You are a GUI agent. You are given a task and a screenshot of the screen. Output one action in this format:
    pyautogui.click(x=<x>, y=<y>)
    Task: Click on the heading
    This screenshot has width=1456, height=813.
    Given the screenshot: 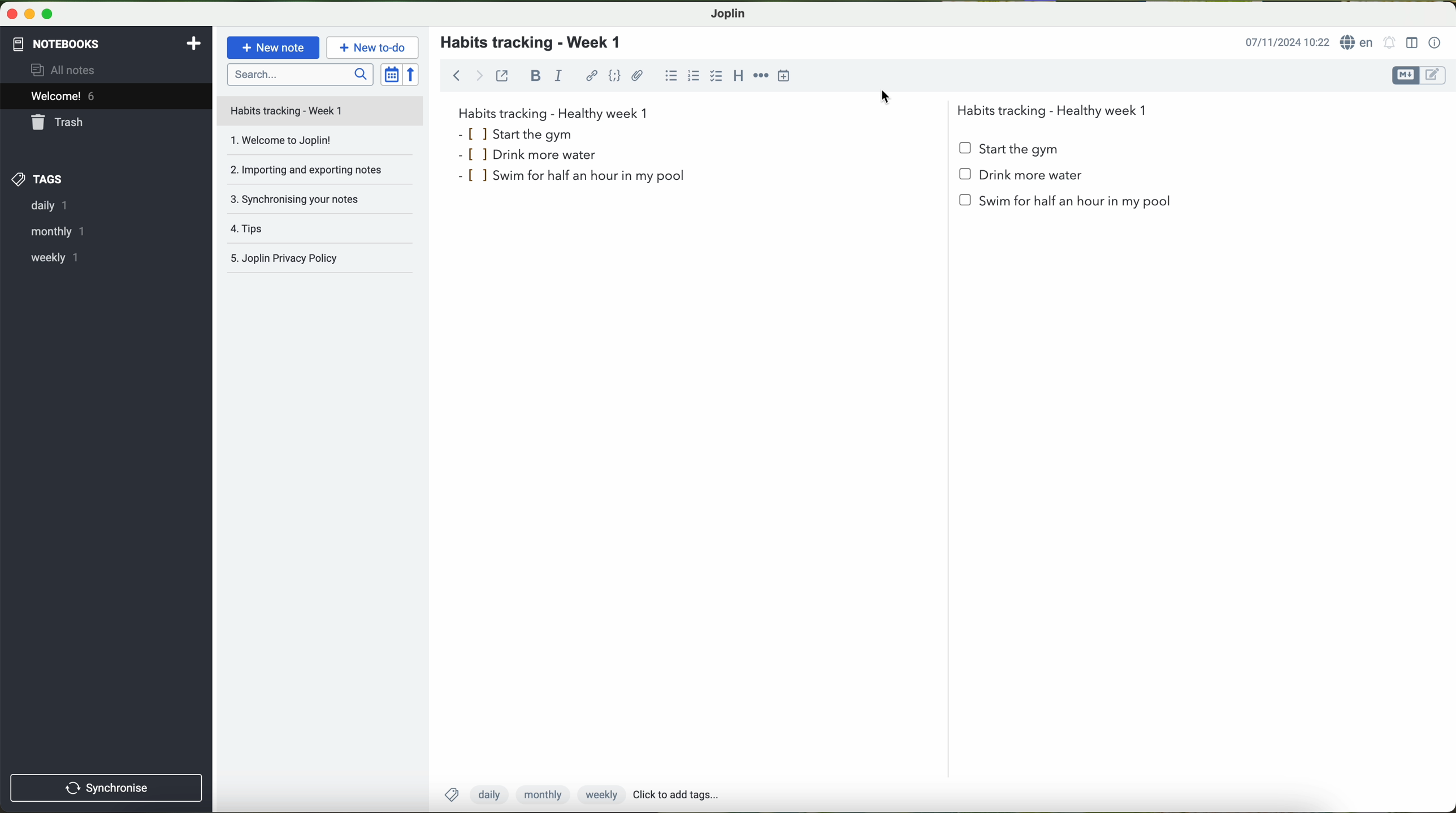 What is the action you would take?
    pyautogui.click(x=740, y=79)
    